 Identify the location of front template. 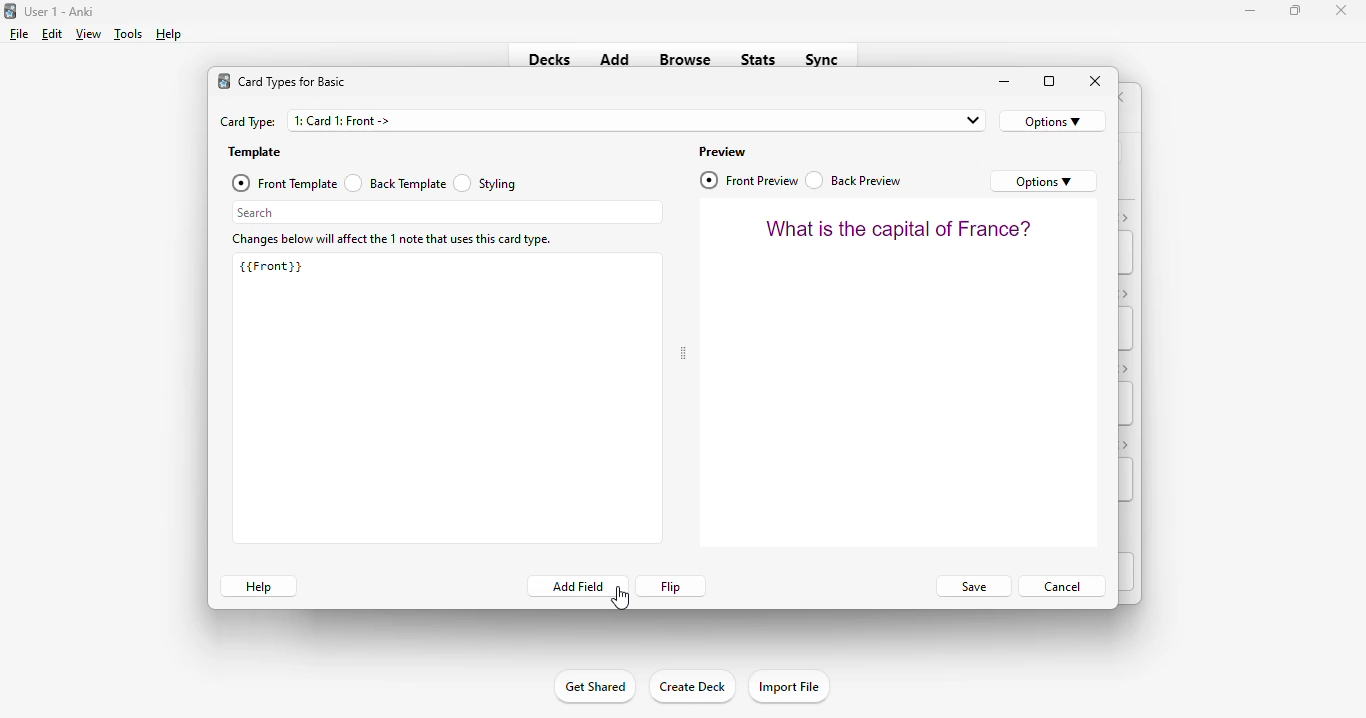
(283, 183).